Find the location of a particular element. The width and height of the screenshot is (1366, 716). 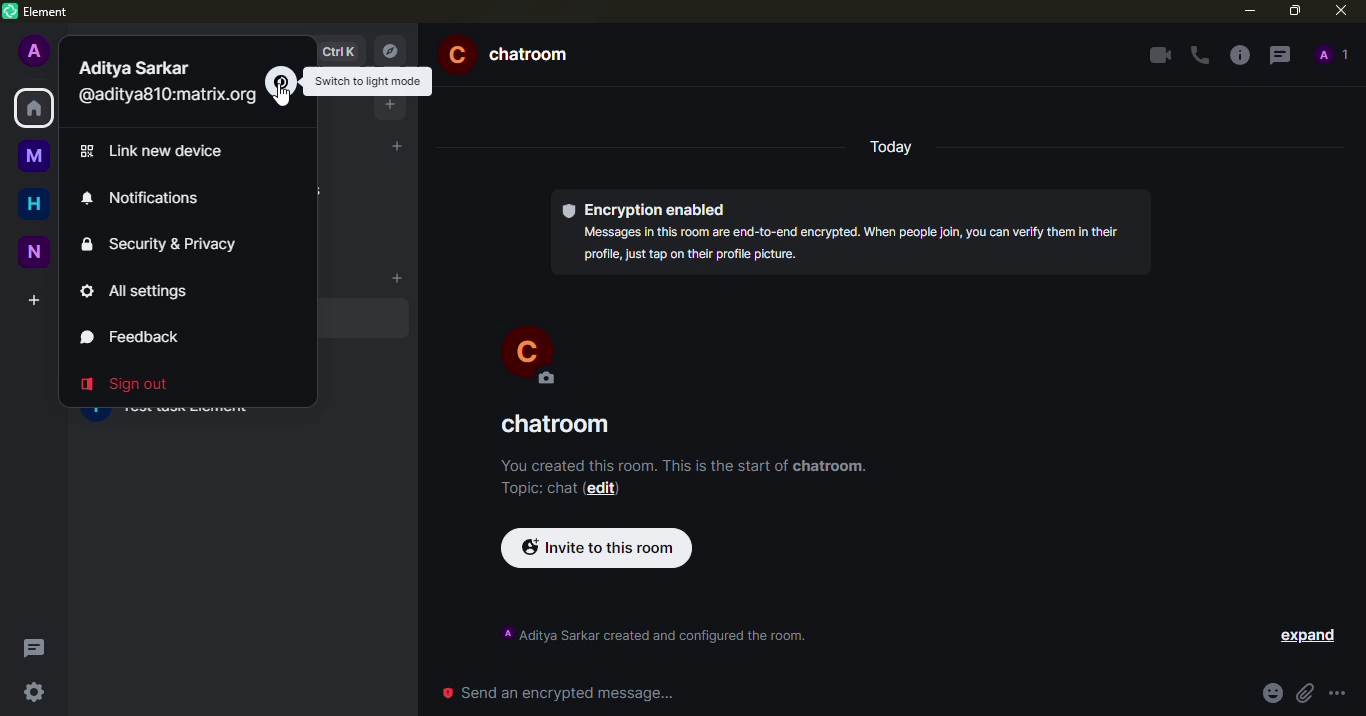

profile is located at coordinates (36, 49).